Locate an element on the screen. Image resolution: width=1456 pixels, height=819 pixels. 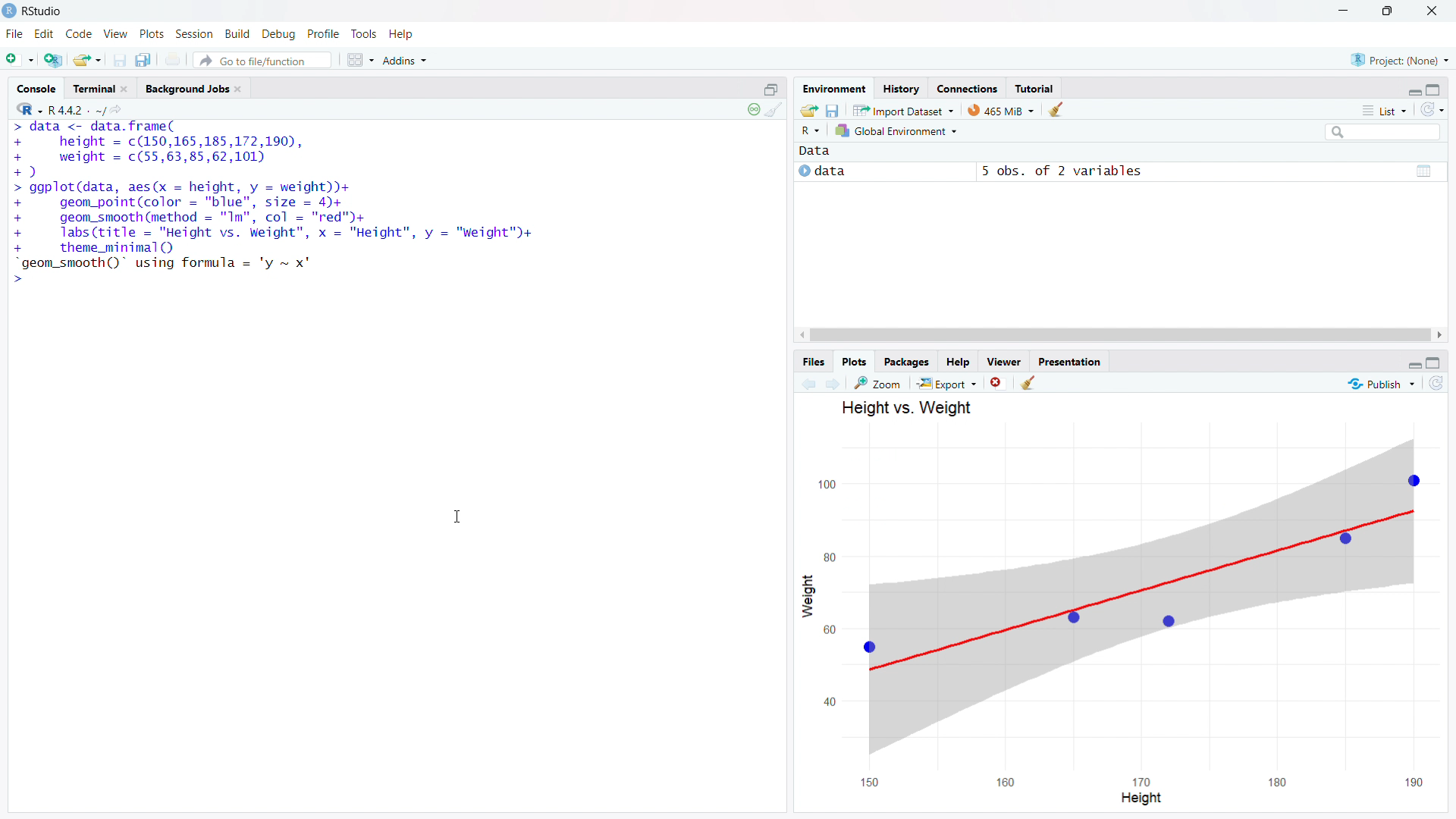
history is located at coordinates (901, 88).